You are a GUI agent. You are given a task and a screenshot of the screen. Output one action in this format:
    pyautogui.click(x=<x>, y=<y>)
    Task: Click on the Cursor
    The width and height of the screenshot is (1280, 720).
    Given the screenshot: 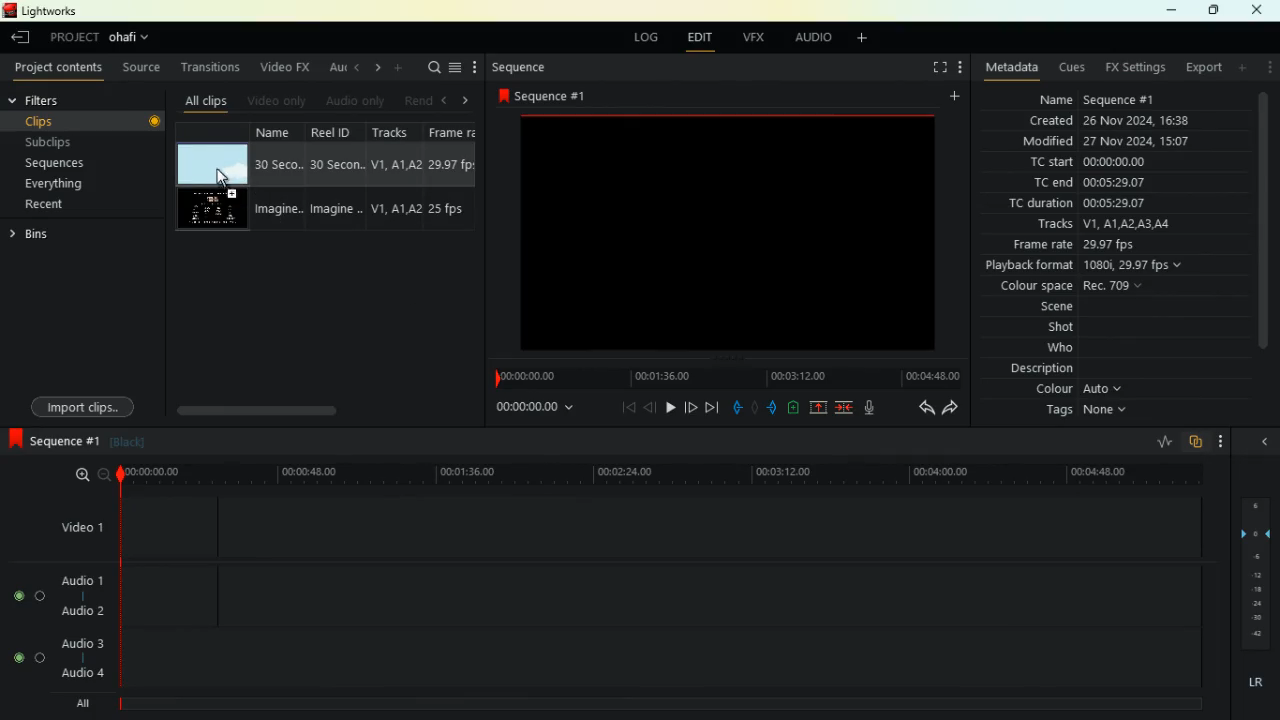 What is the action you would take?
    pyautogui.click(x=223, y=176)
    